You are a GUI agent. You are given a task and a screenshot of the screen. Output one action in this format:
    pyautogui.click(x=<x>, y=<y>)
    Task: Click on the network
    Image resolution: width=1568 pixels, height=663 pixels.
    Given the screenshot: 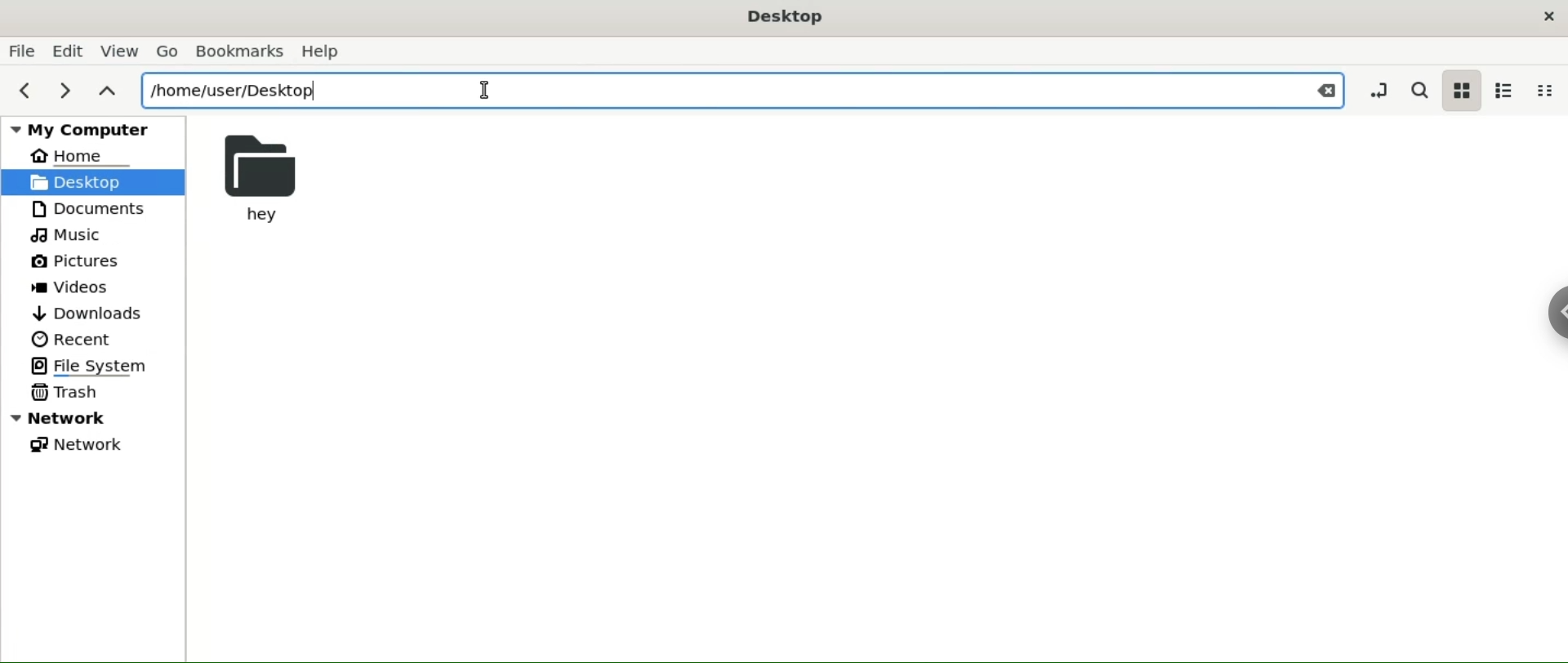 What is the action you would take?
    pyautogui.click(x=95, y=419)
    